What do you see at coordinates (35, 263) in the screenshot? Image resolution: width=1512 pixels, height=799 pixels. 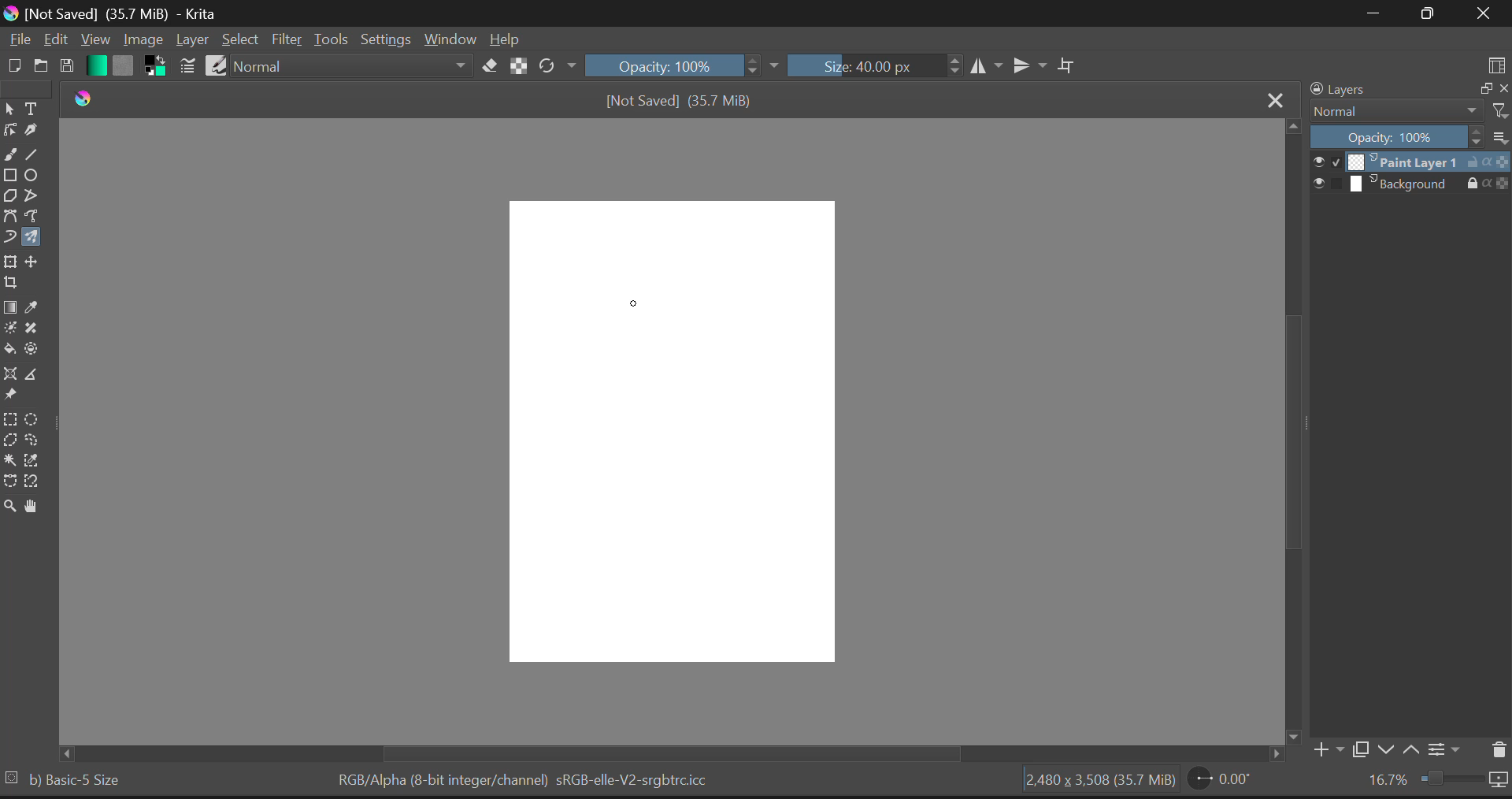 I see `Move Layer` at bounding box center [35, 263].